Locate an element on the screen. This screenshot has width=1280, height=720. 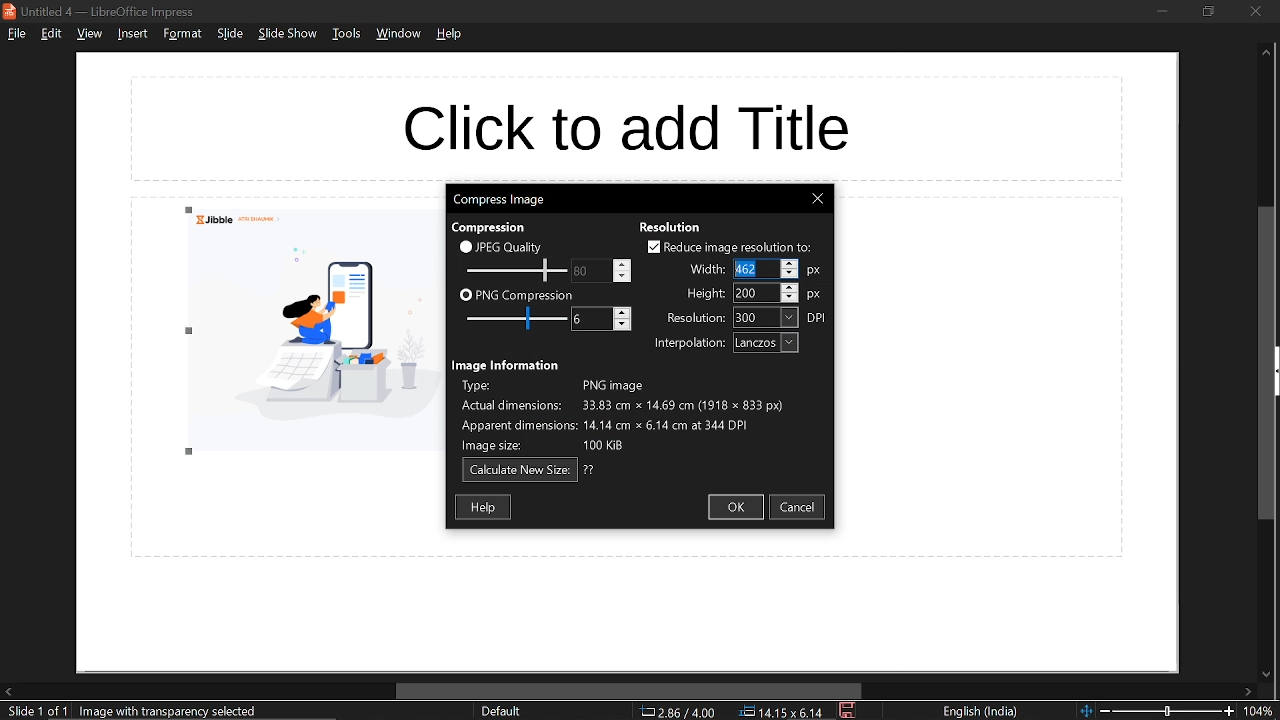
image with transparency selected is located at coordinates (174, 711).